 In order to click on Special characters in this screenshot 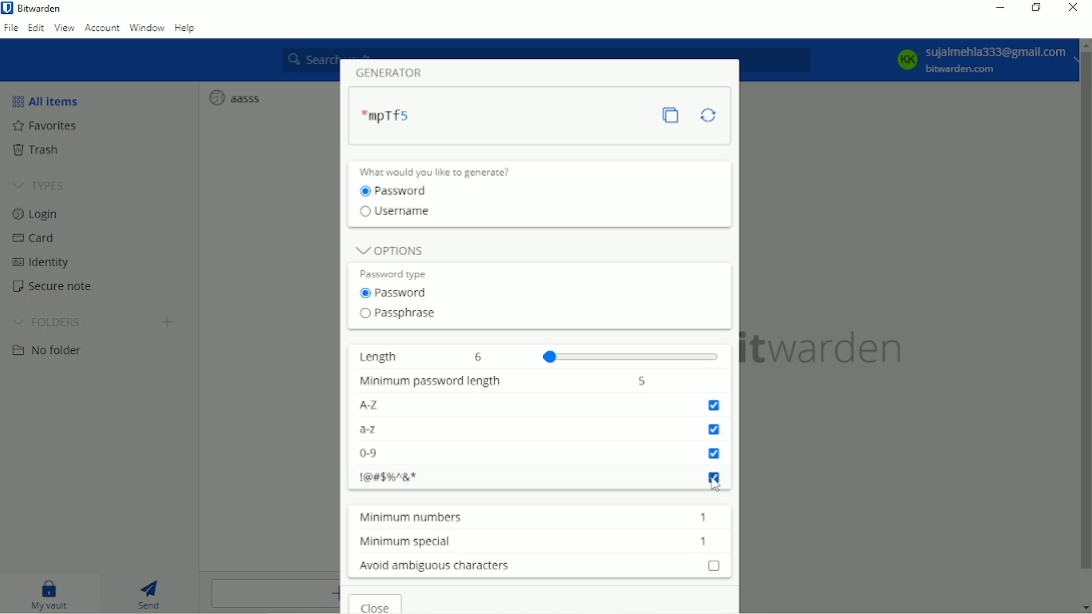, I will do `click(387, 479)`.